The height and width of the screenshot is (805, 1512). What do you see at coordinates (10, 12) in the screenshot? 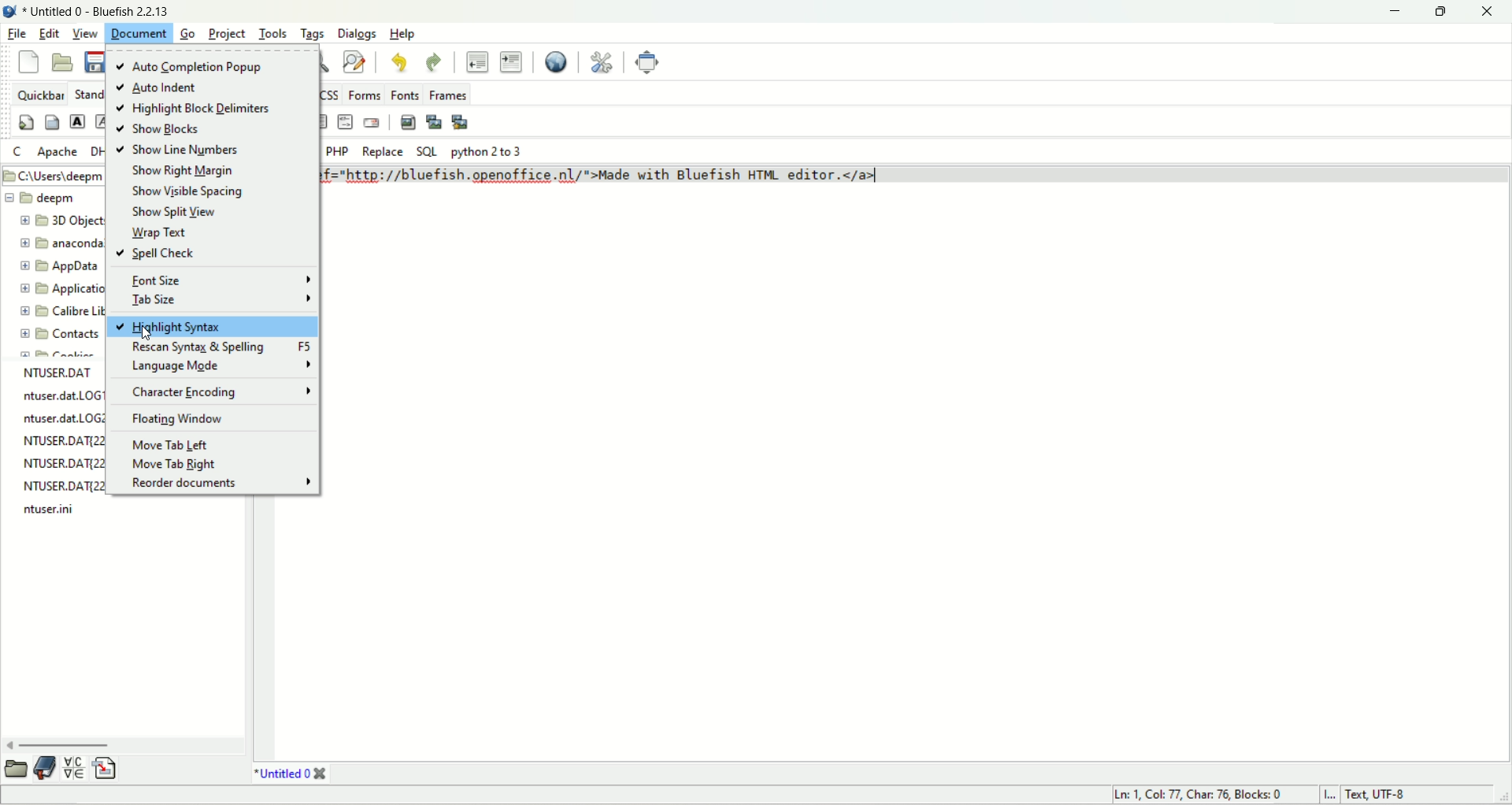
I see `logo` at bounding box center [10, 12].